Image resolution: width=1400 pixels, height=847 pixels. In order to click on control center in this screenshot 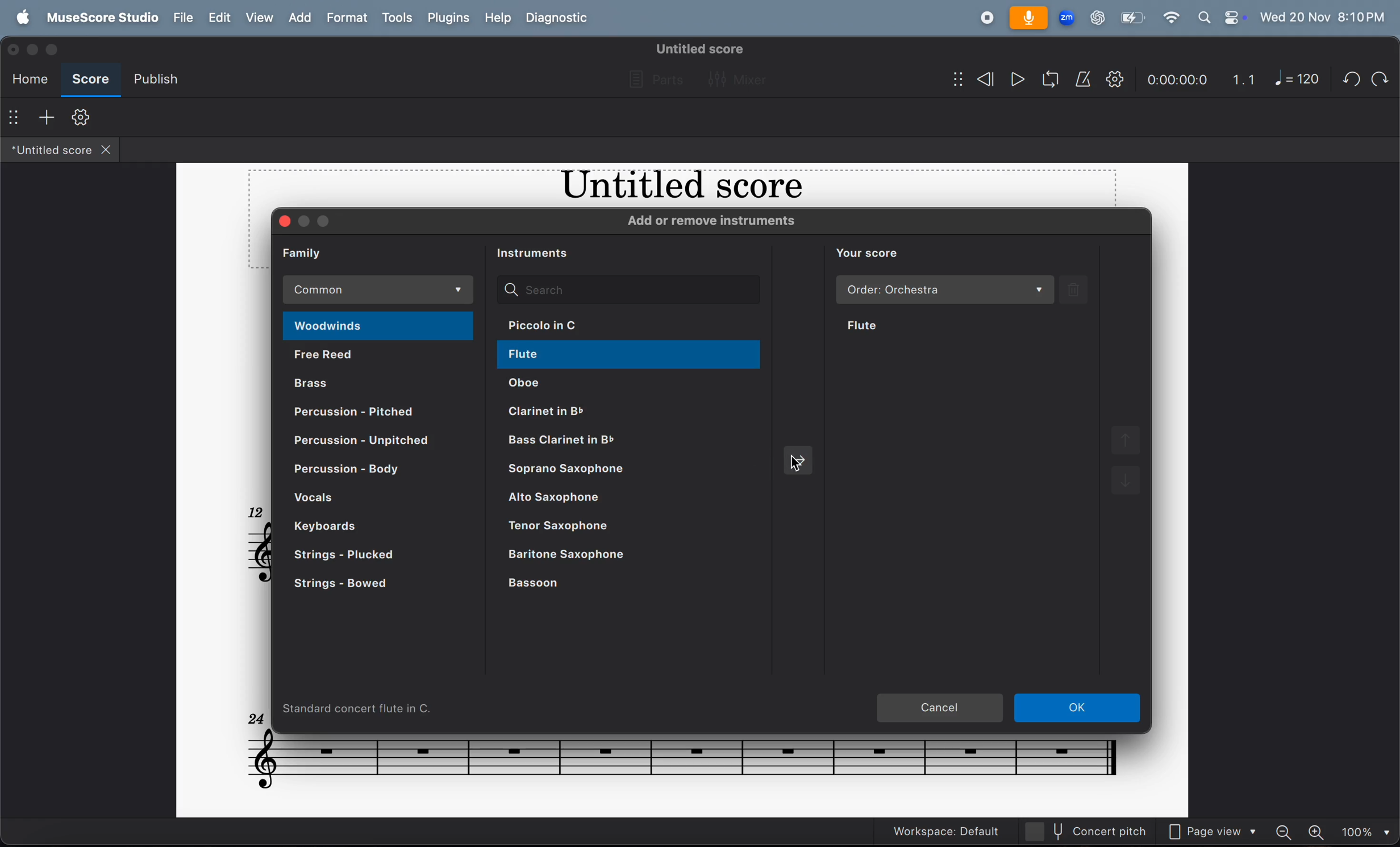, I will do `click(1233, 16)`.